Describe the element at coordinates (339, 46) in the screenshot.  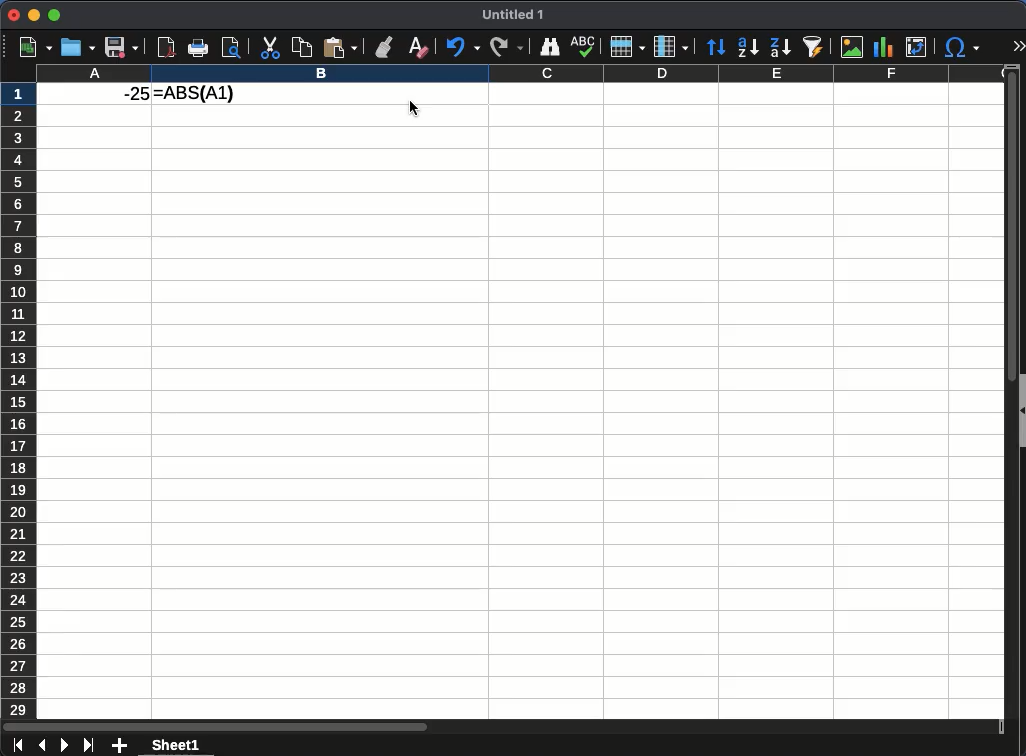
I see `paste` at that location.